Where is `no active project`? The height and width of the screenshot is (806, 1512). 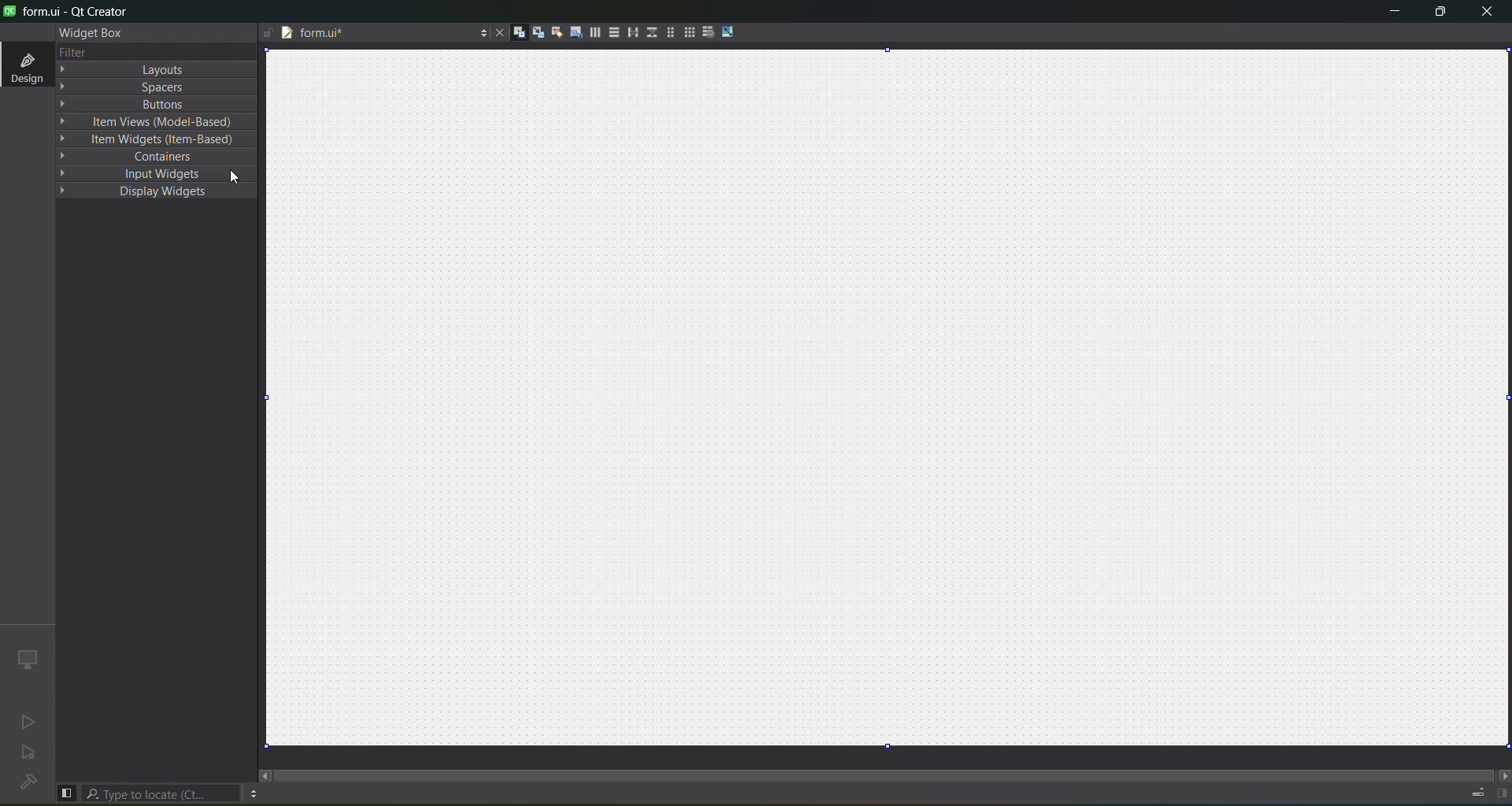
no active project is located at coordinates (28, 719).